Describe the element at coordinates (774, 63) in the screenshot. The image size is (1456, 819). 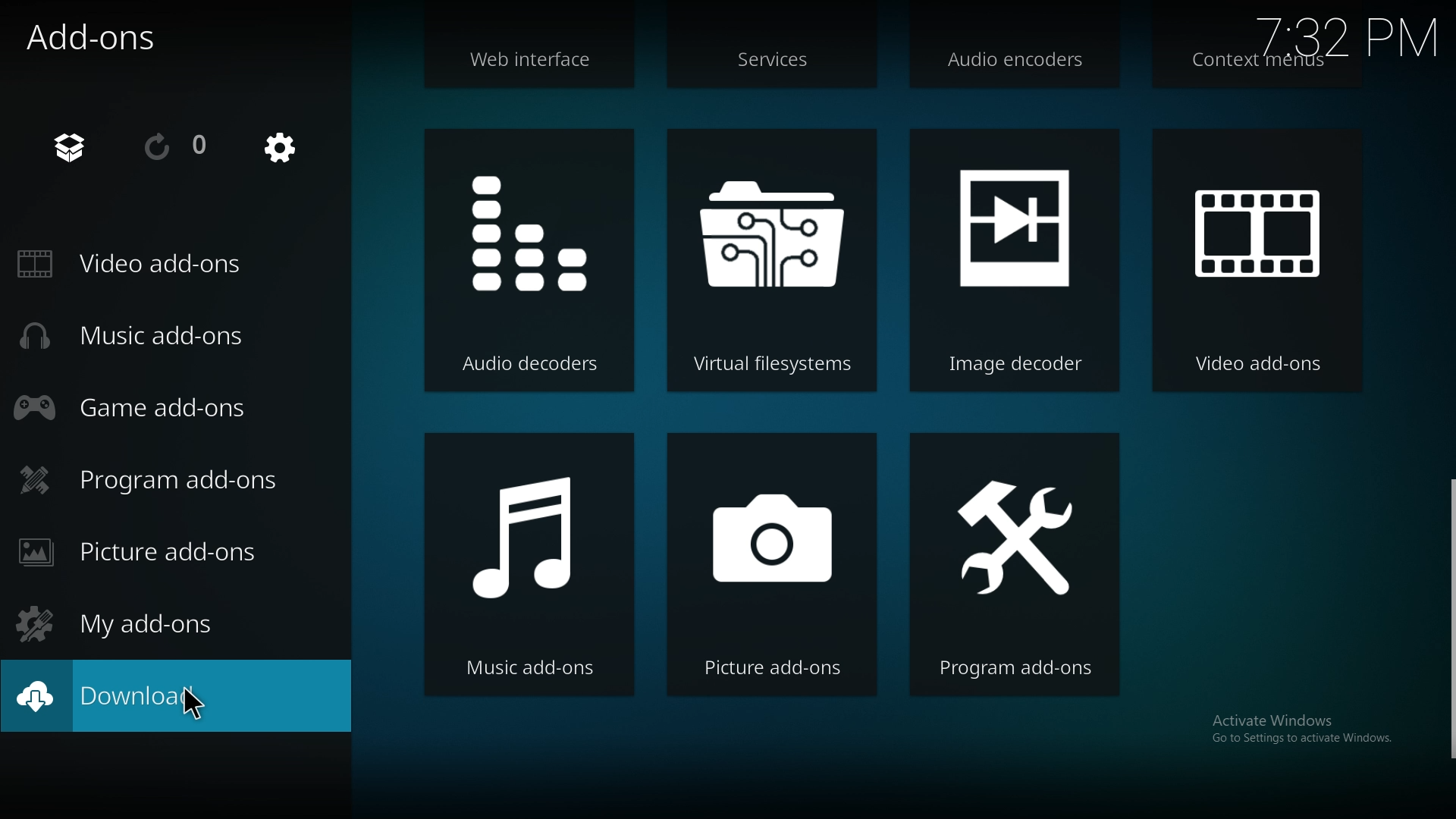
I see `services` at that location.